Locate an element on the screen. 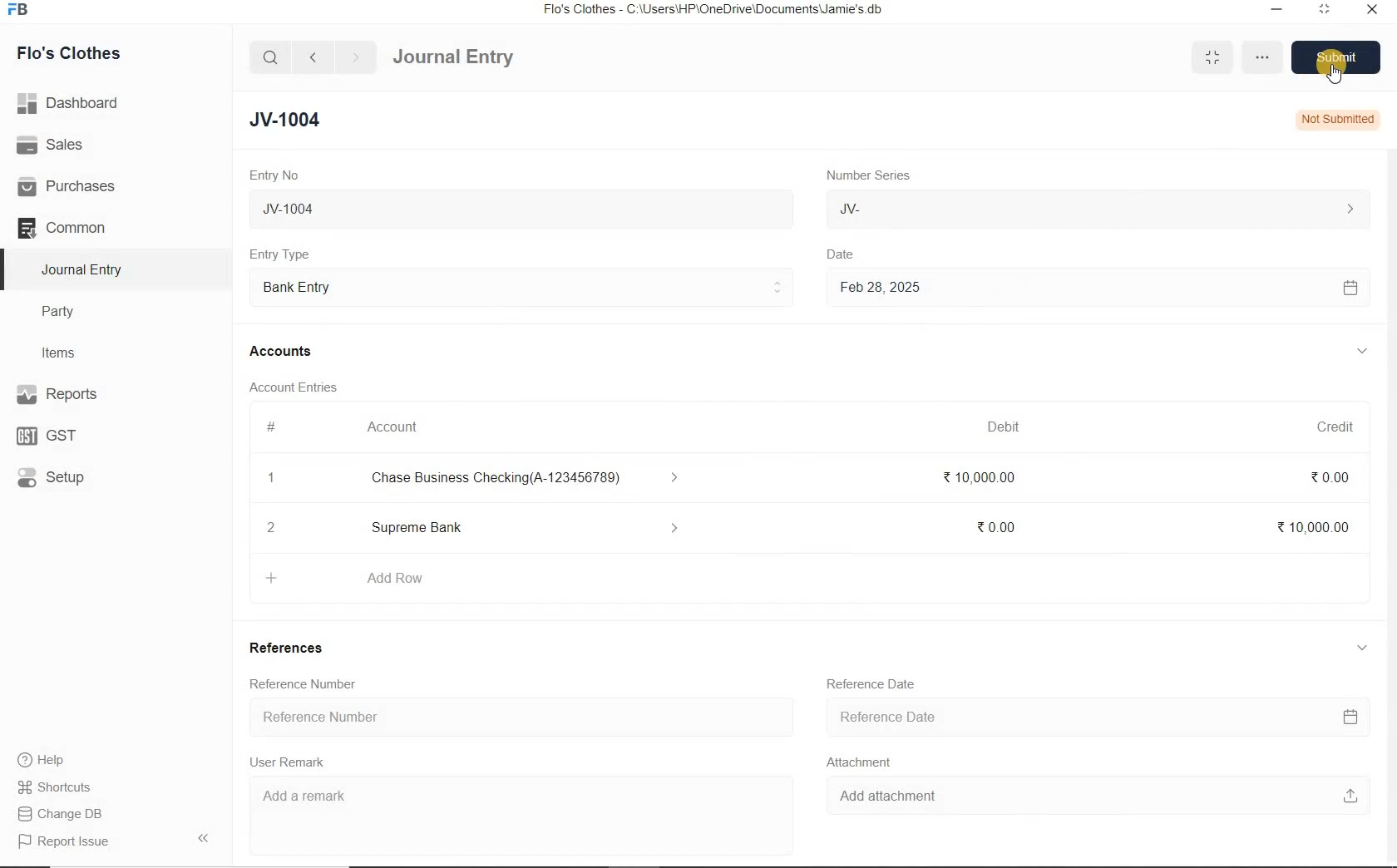  2 is located at coordinates (274, 527).